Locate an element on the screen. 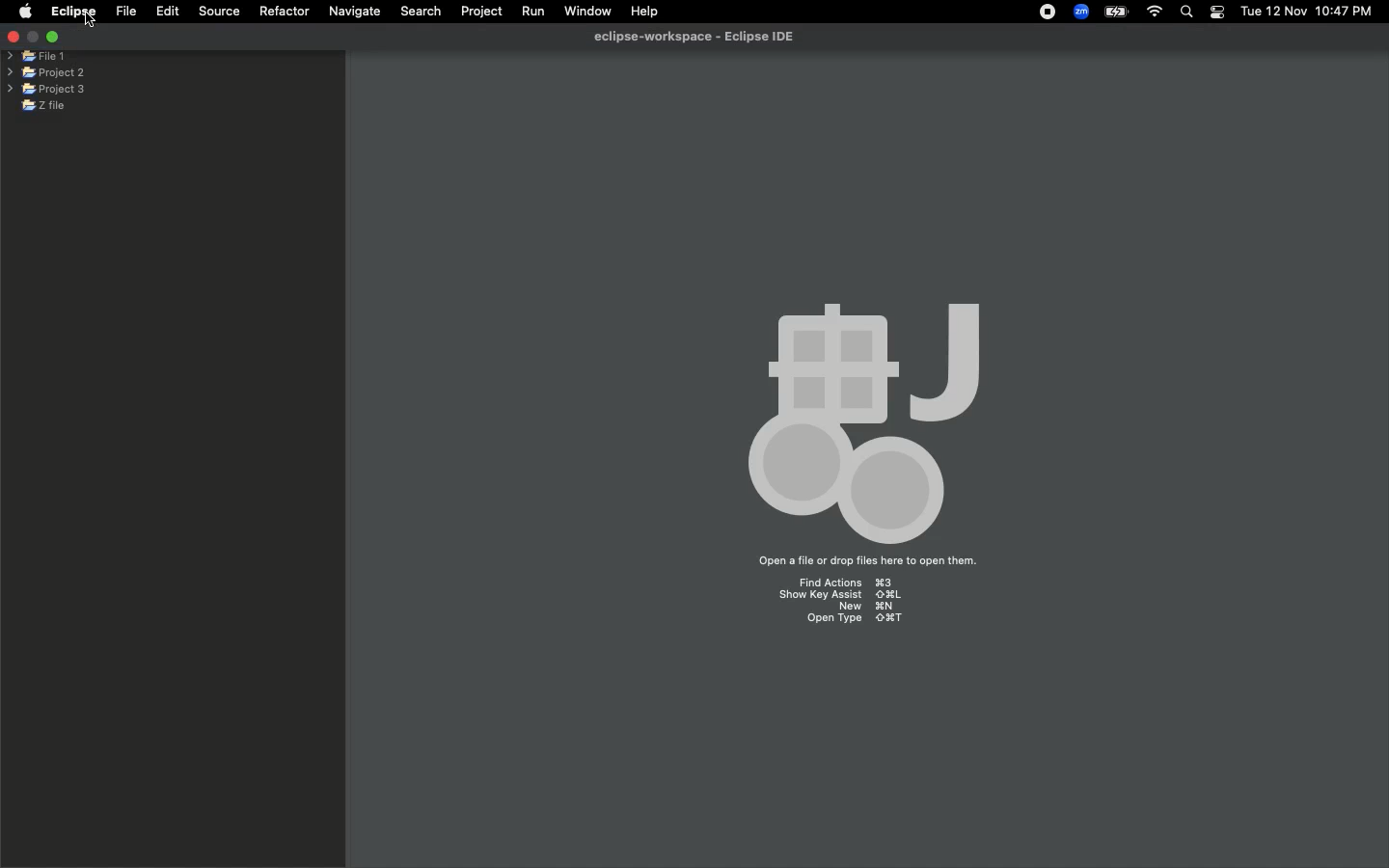  Maximize is located at coordinates (57, 39).